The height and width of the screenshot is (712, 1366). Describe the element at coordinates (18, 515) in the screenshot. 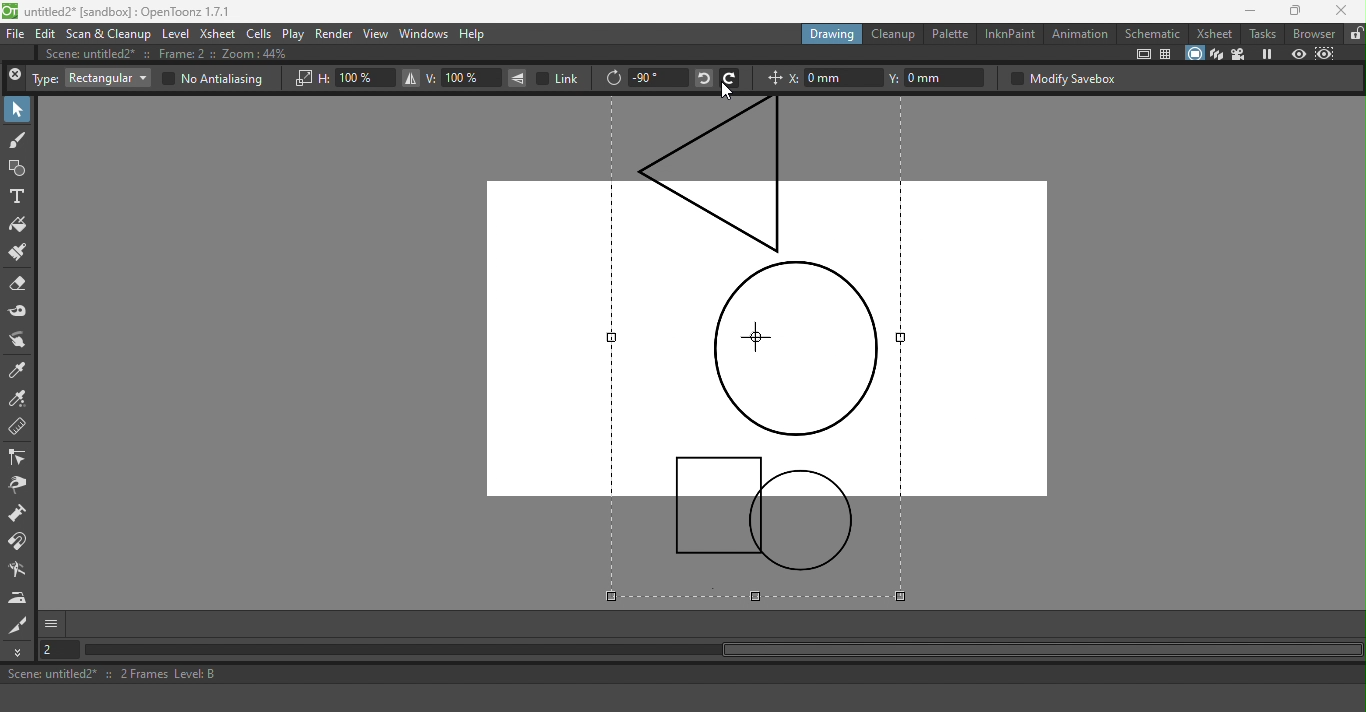

I see `Pump tool` at that location.